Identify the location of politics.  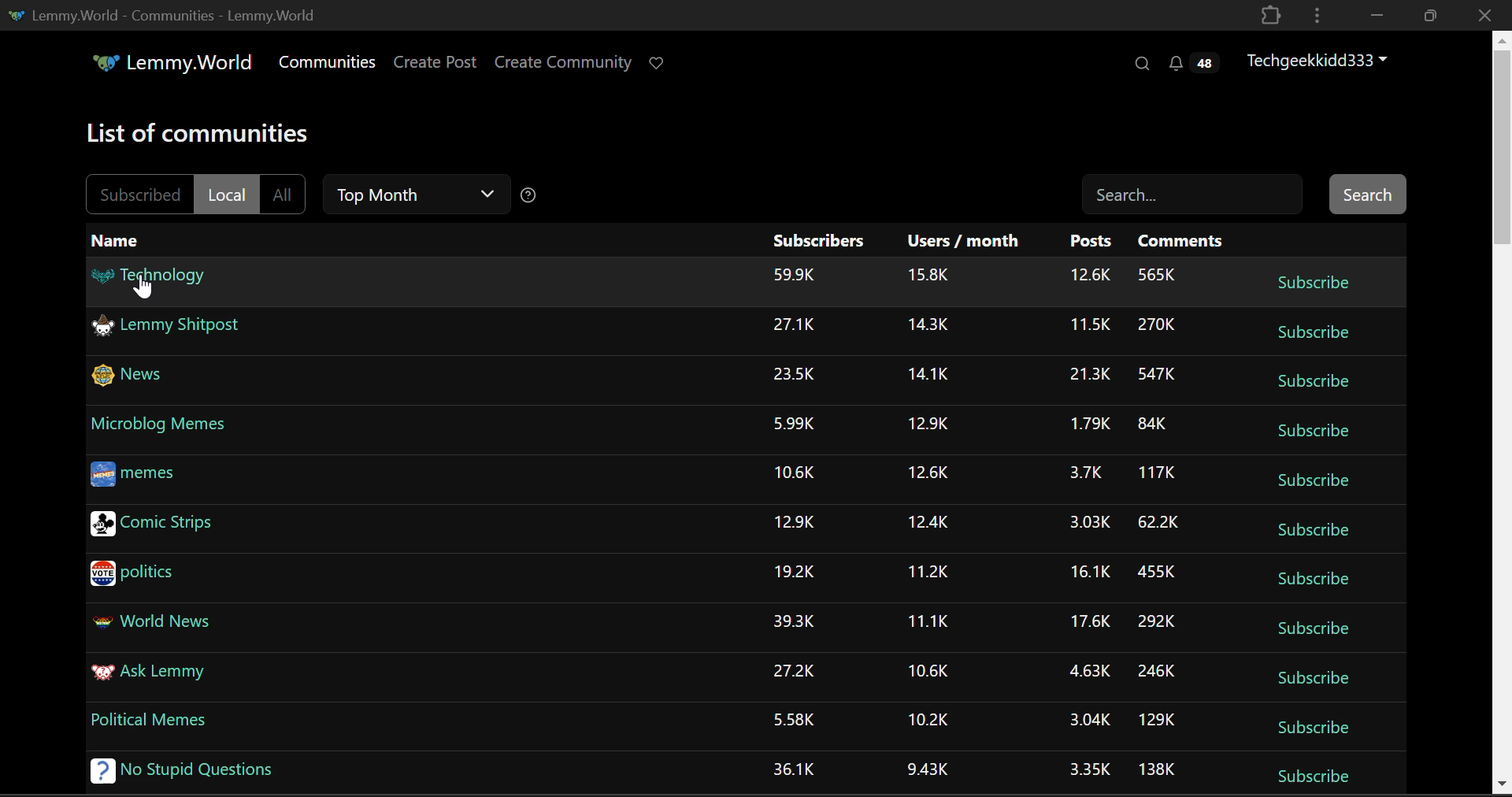
(132, 575).